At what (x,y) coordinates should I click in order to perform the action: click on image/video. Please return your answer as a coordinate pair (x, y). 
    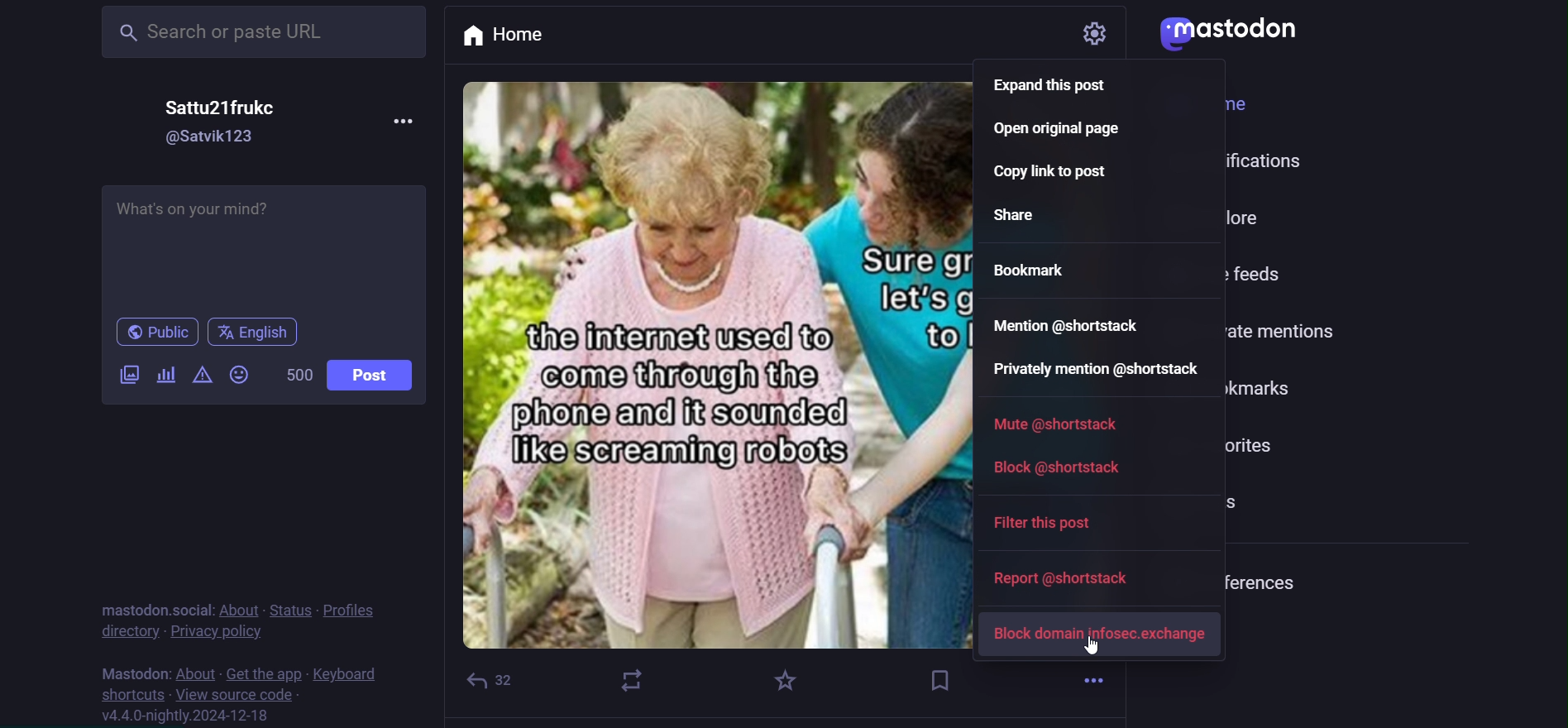
    Looking at the image, I should click on (129, 374).